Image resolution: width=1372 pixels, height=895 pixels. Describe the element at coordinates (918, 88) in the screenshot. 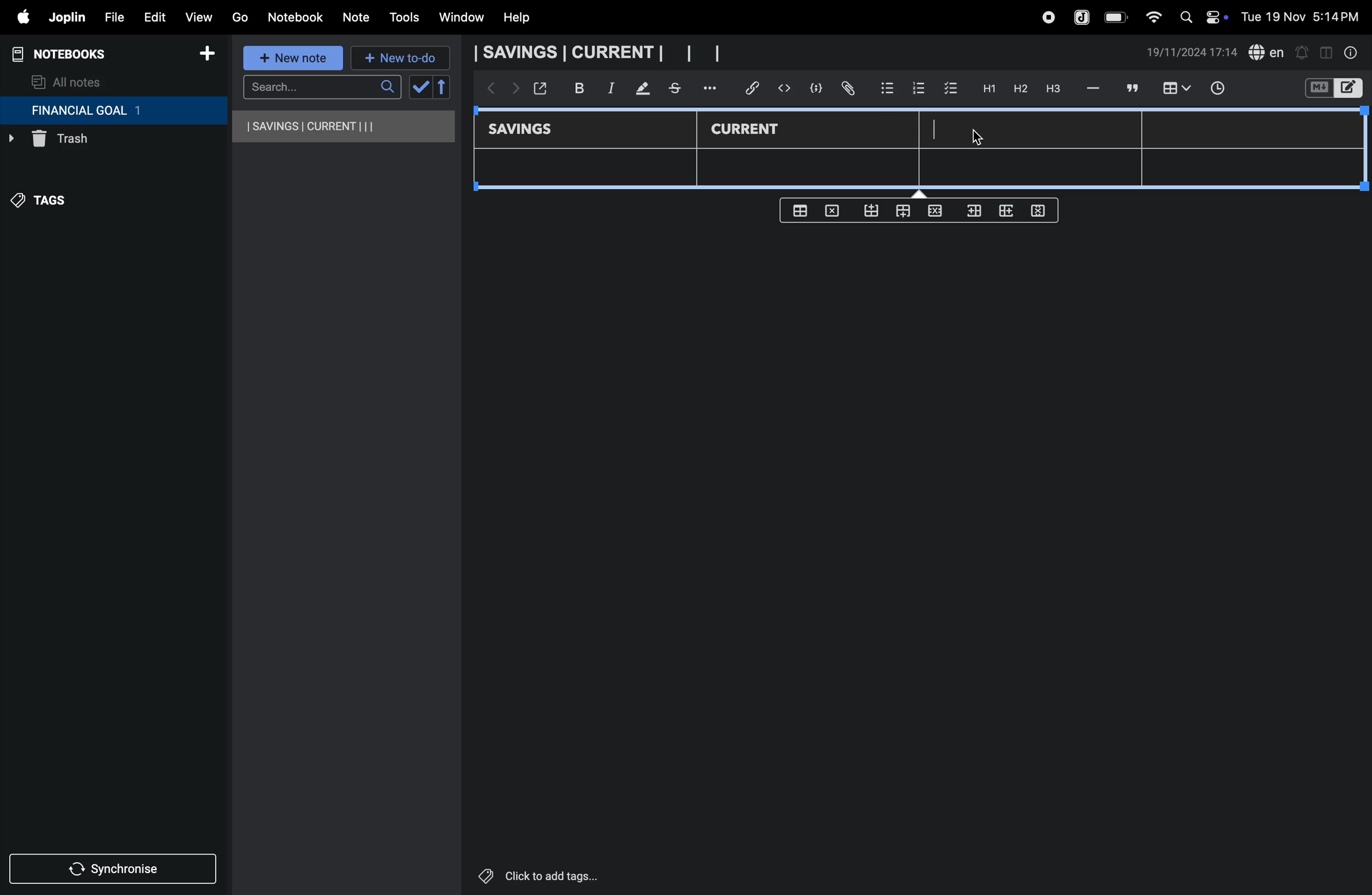

I see `numbered list` at that location.